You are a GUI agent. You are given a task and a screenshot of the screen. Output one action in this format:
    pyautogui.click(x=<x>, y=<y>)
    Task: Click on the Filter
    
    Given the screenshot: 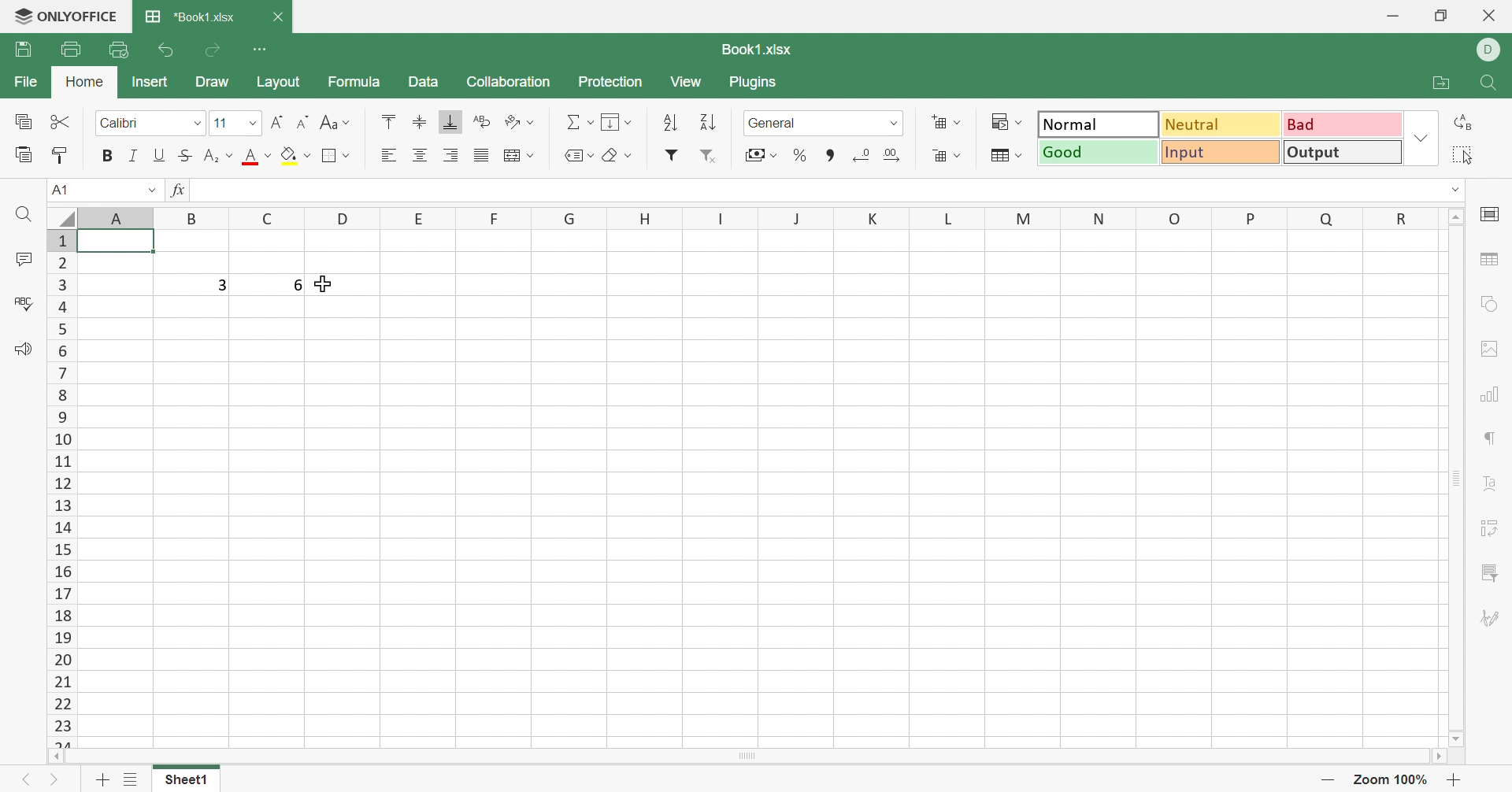 What is the action you would take?
    pyautogui.click(x=674, y=154)
    